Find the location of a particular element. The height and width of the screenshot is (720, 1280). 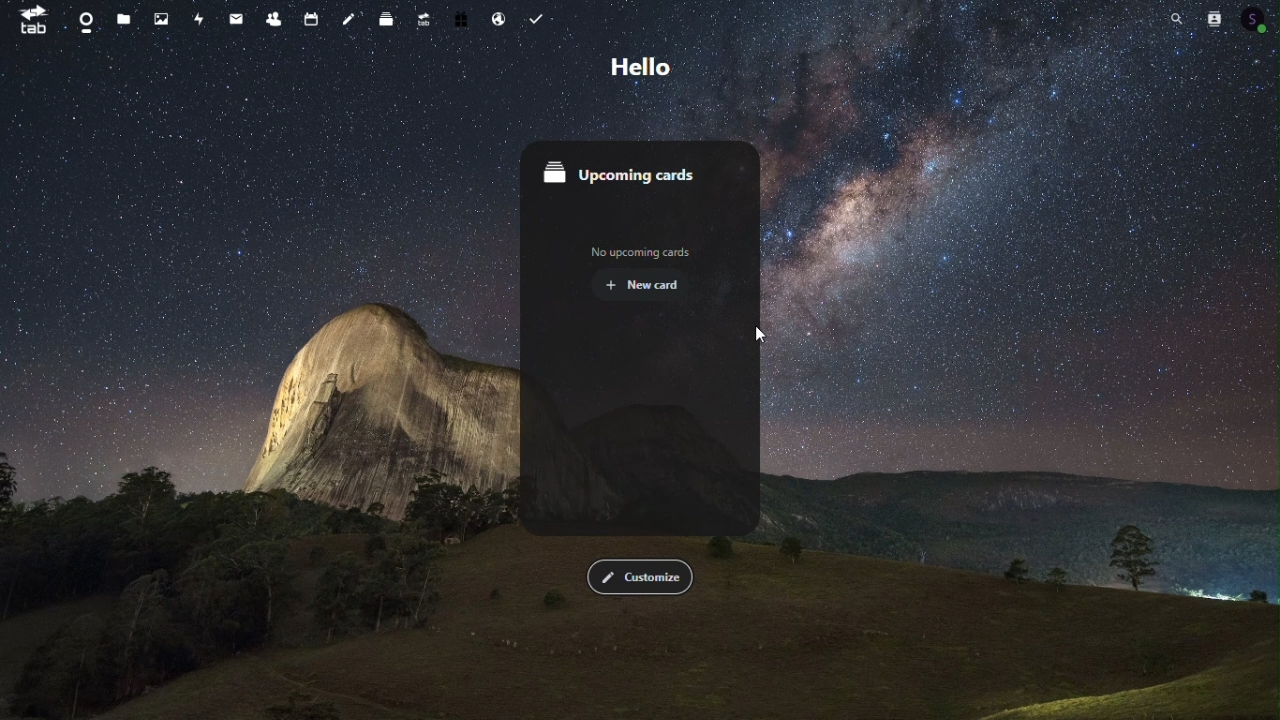

Email hosting is located at coordinates (498, 15).